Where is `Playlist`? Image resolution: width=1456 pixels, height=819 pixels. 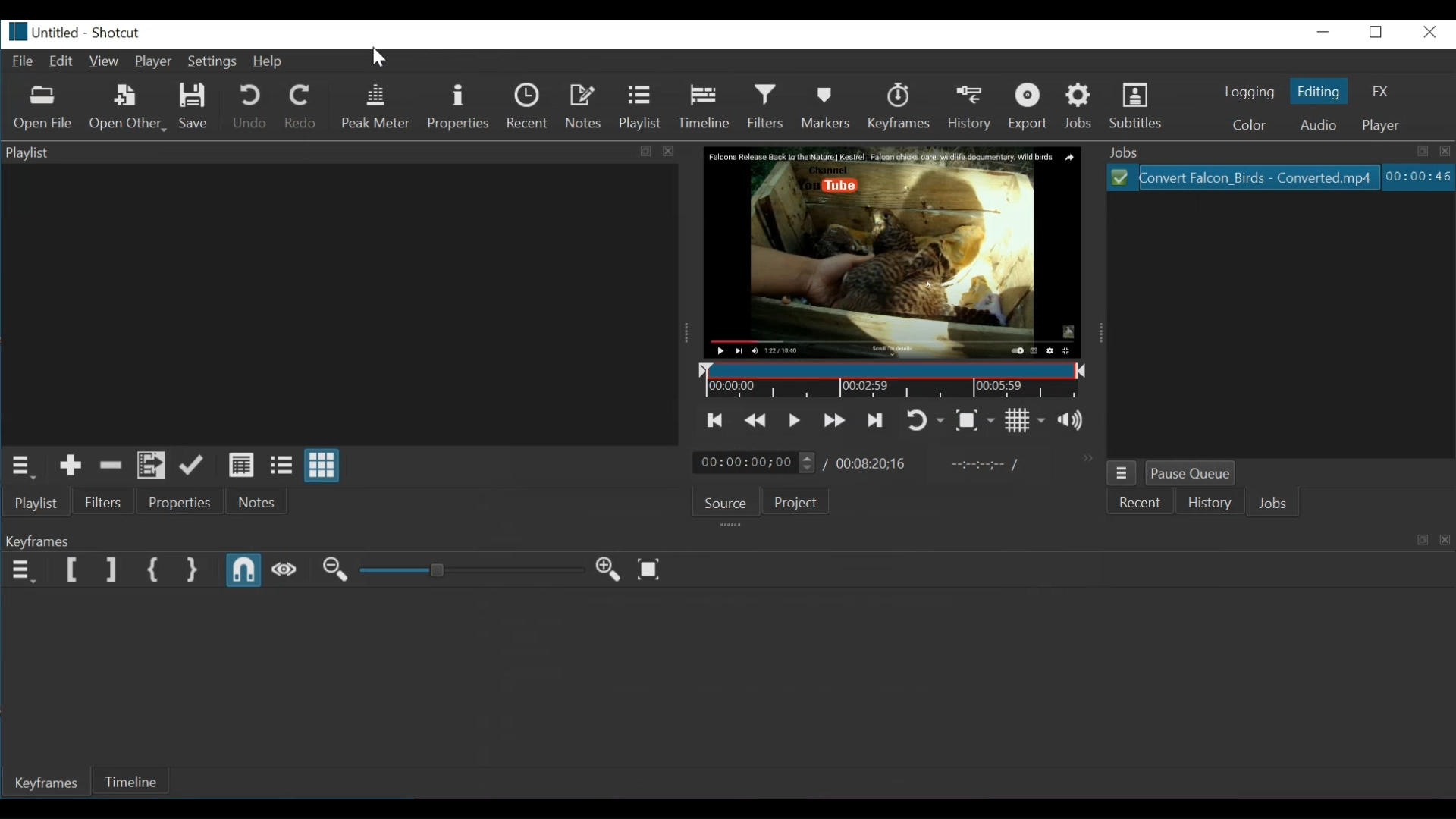
Playlist is located at coordinates (642, 108).